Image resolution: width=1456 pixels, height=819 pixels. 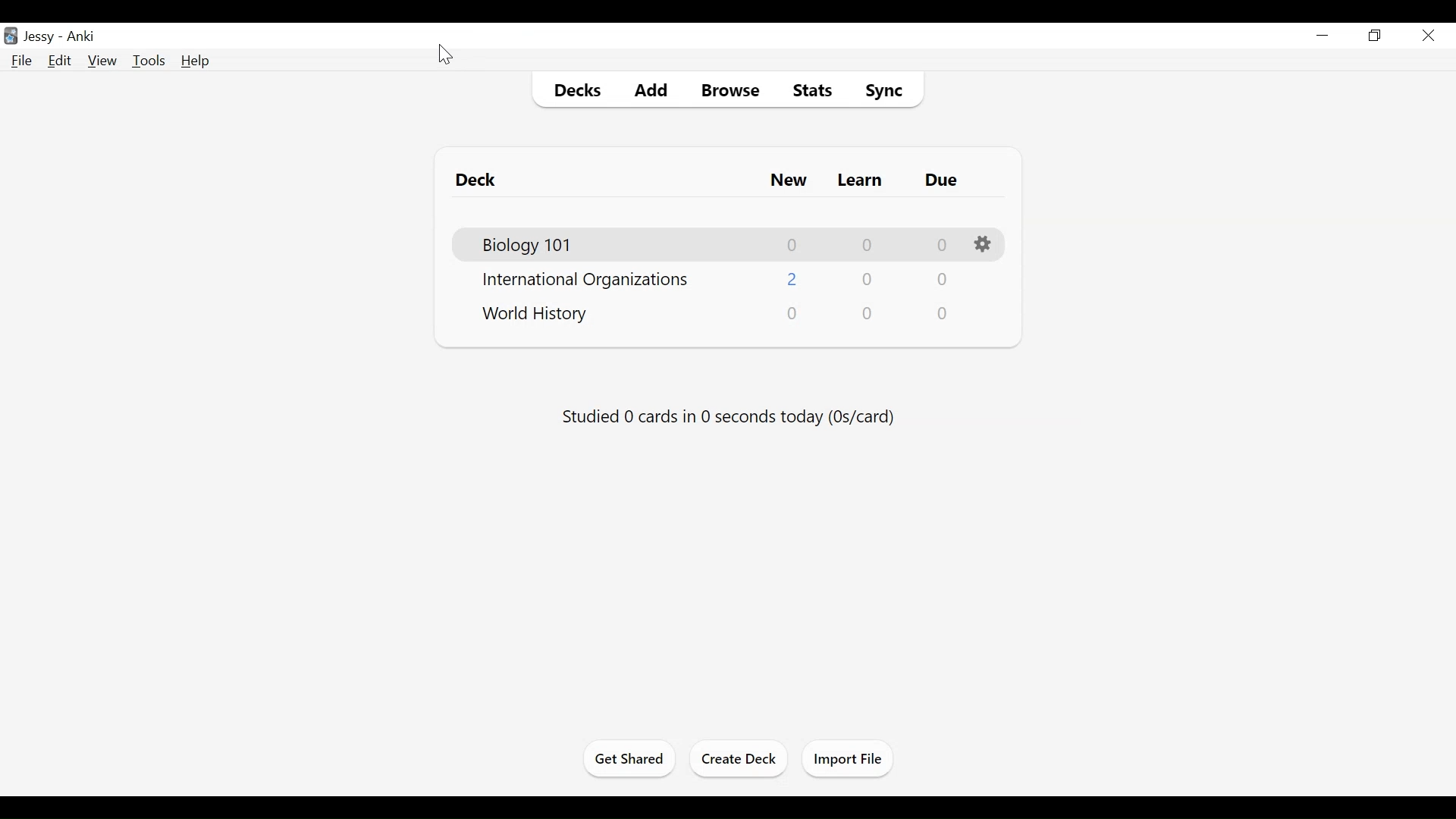 I want to click on Due Card Count, so click(x=943, y=280).